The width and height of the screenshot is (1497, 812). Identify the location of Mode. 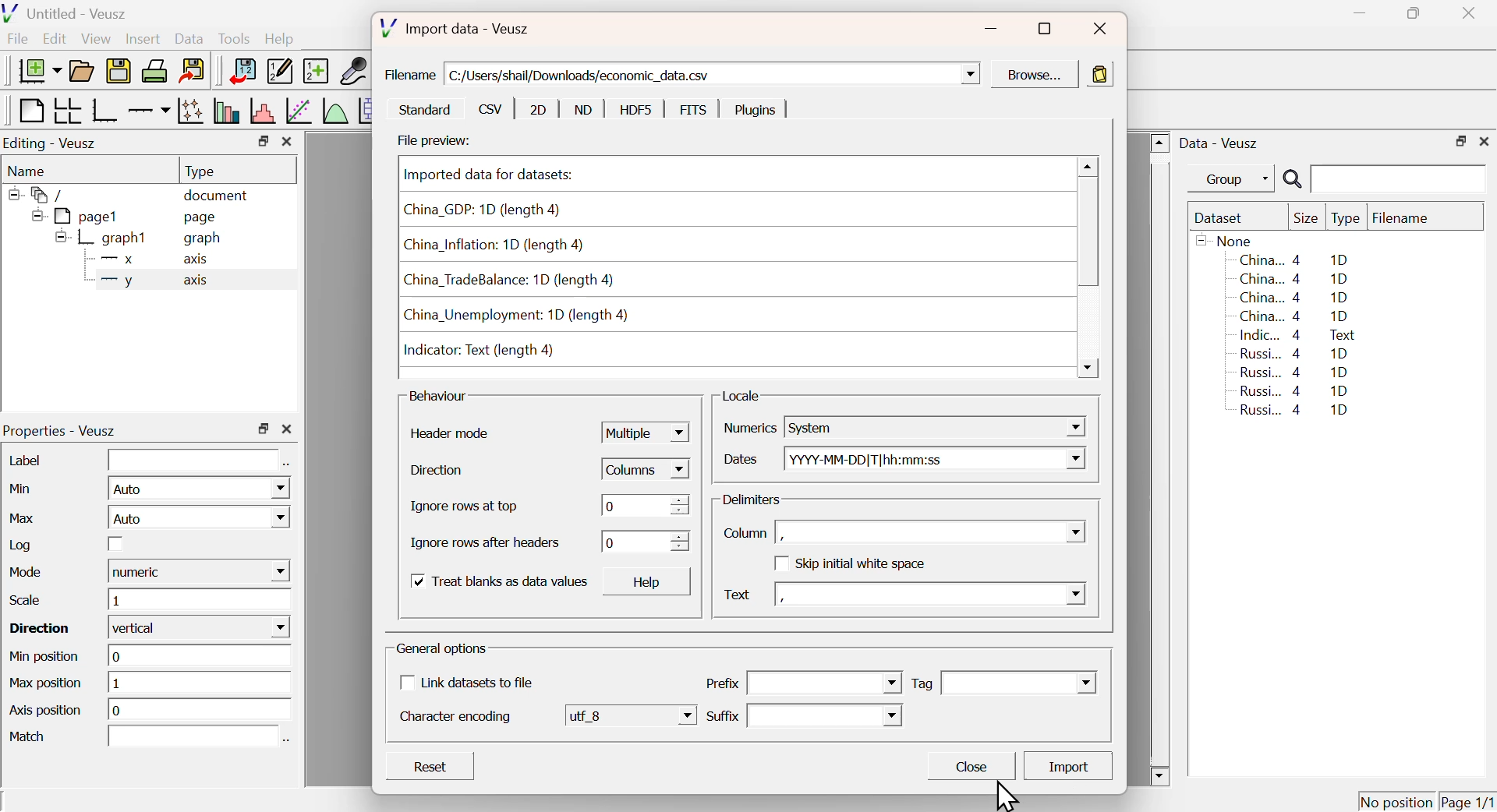
(30, 574).